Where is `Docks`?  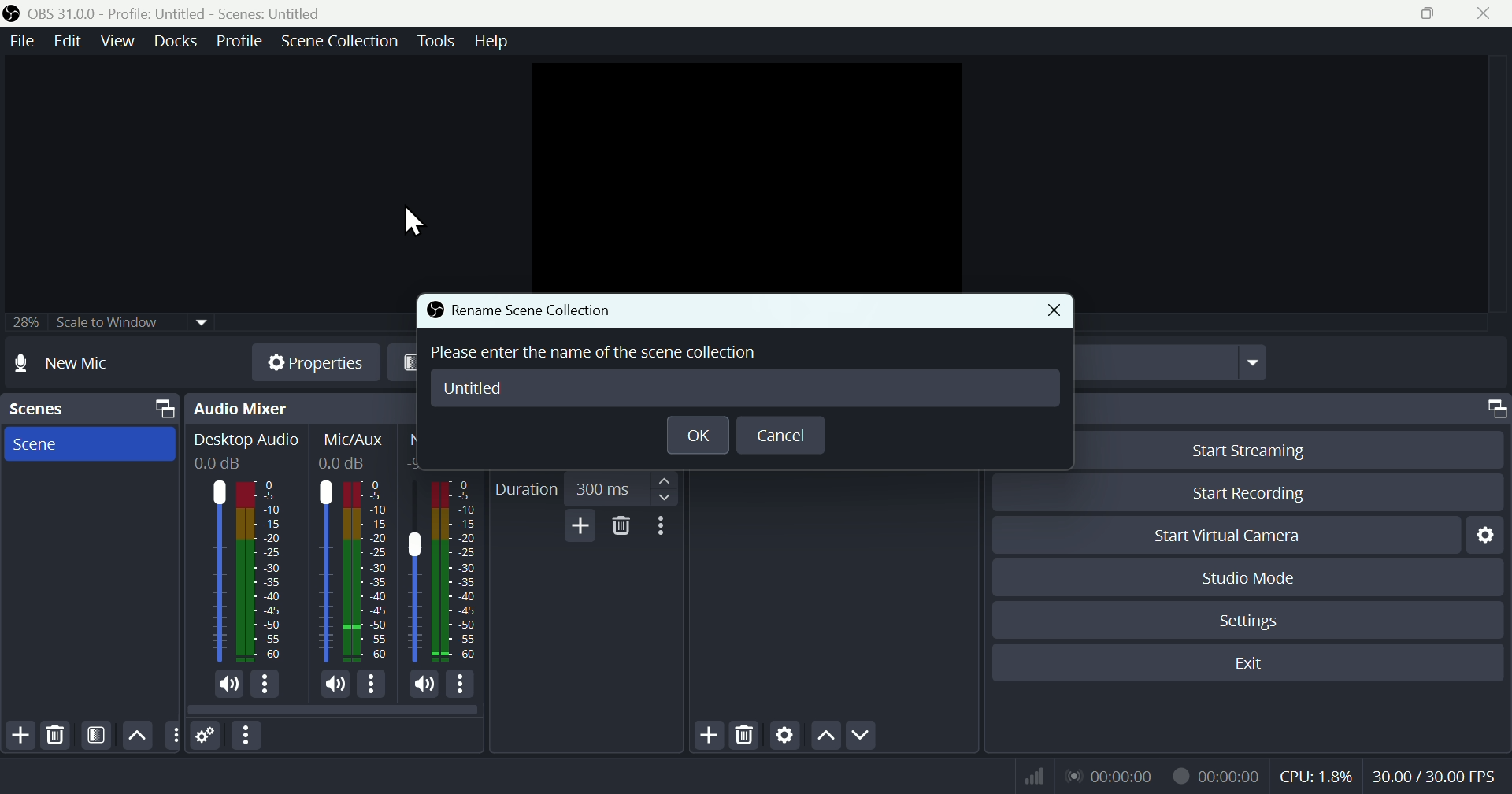 Docks is located at coordinates (172, 44).